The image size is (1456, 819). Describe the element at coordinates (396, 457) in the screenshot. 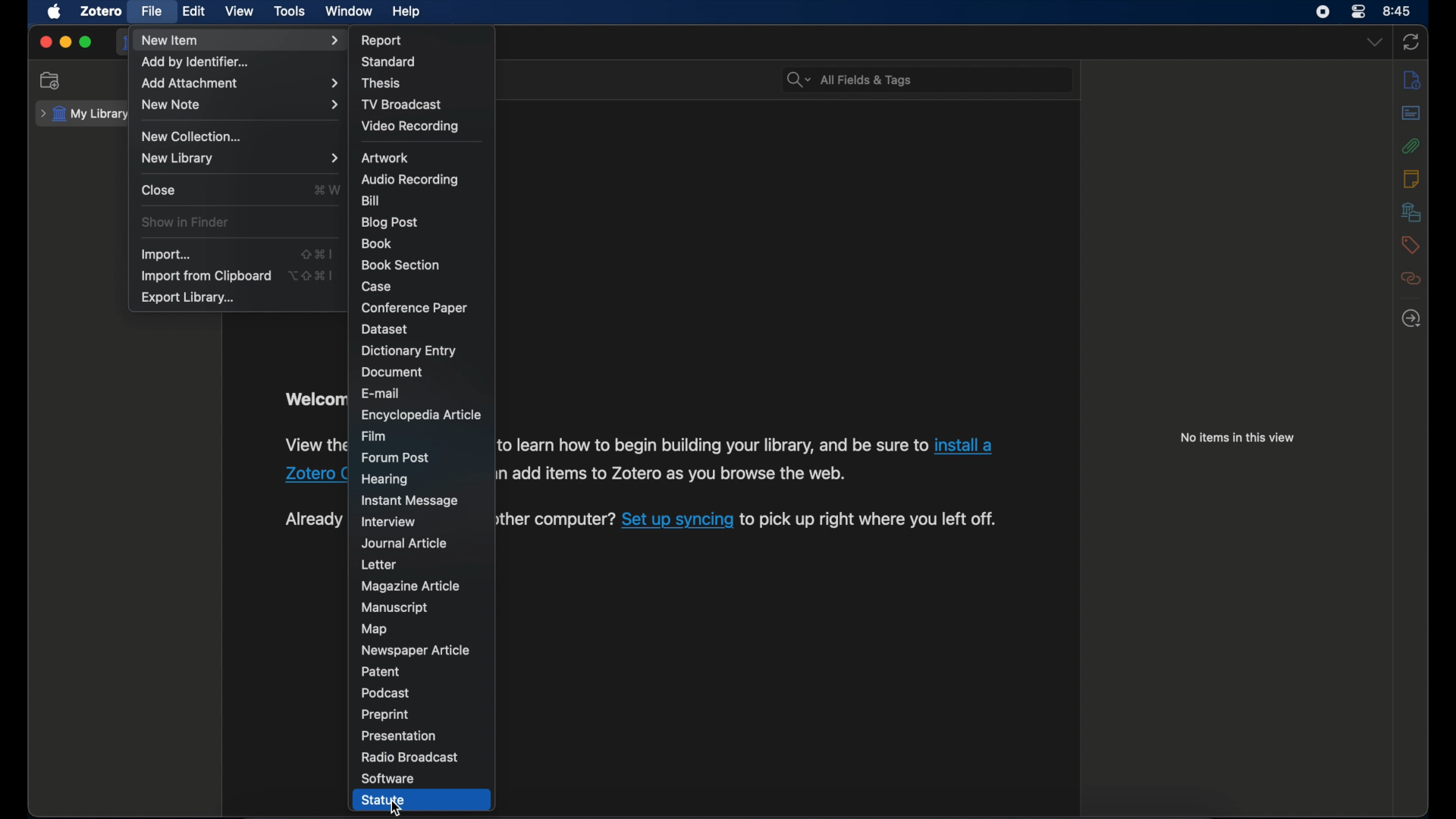

I see `forum post` at that location.